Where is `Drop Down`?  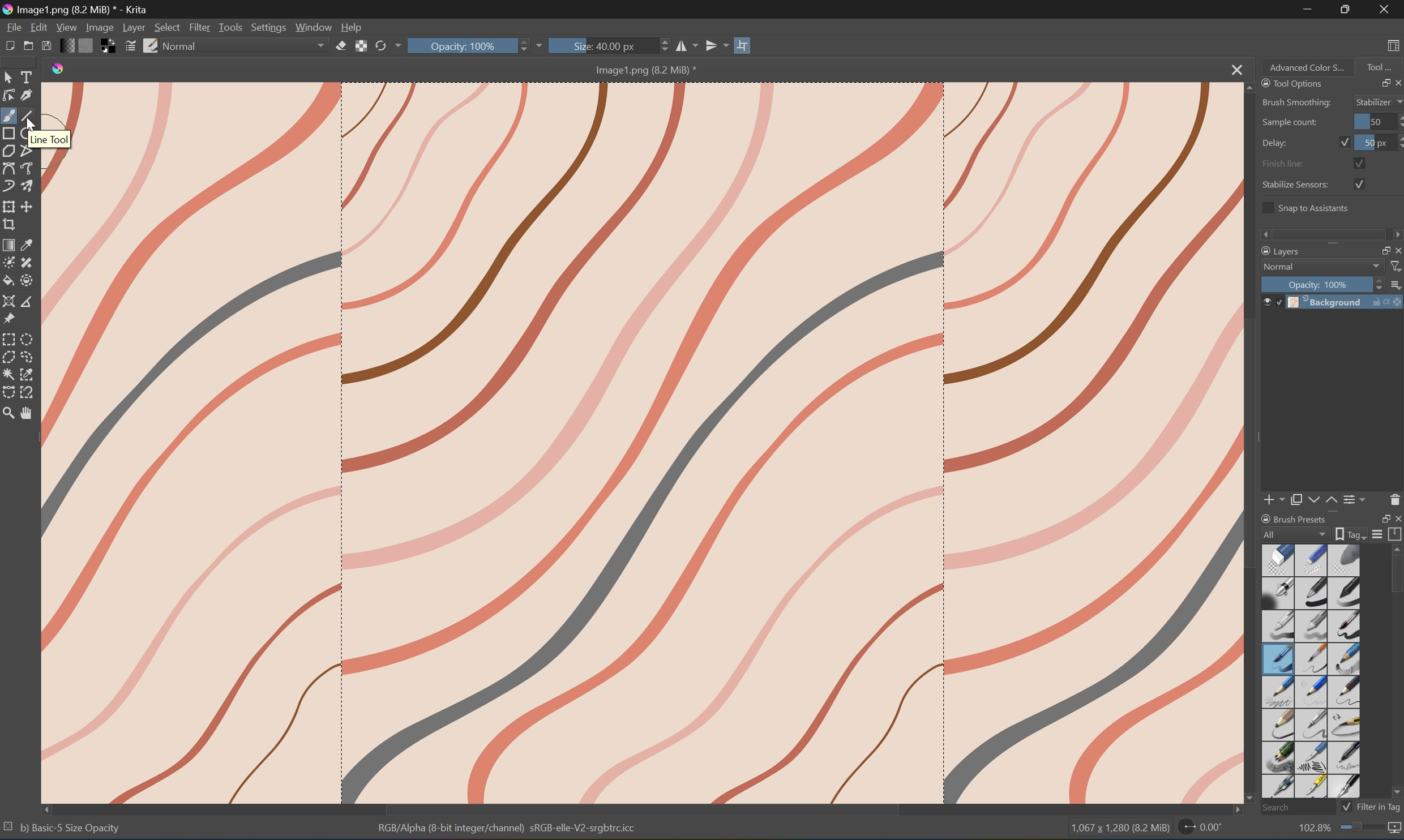 Drop Down is located at coordinates (545, 44).